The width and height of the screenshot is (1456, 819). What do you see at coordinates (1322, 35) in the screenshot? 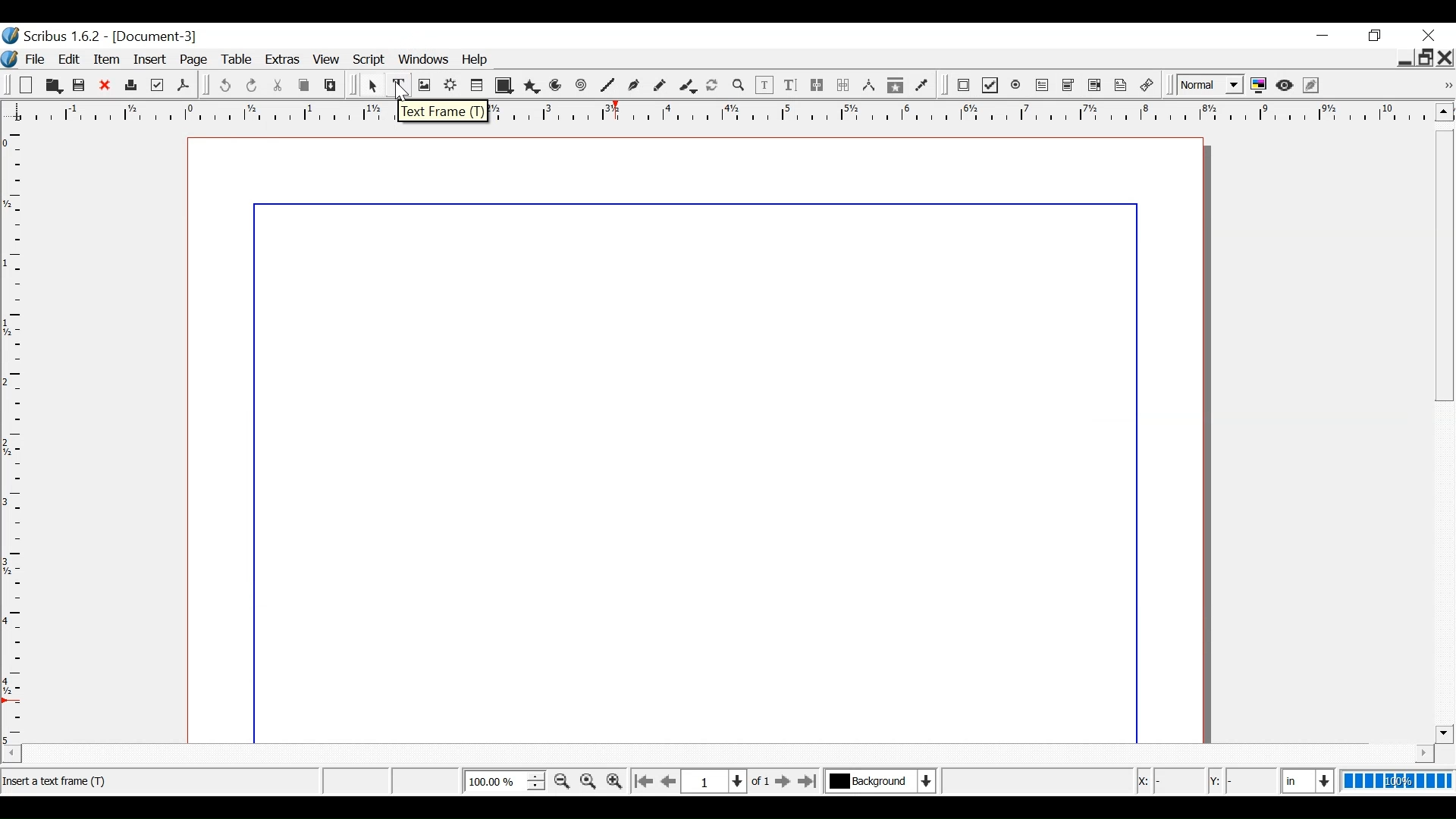
I see `minimize` at bounding box center [1322, 35].